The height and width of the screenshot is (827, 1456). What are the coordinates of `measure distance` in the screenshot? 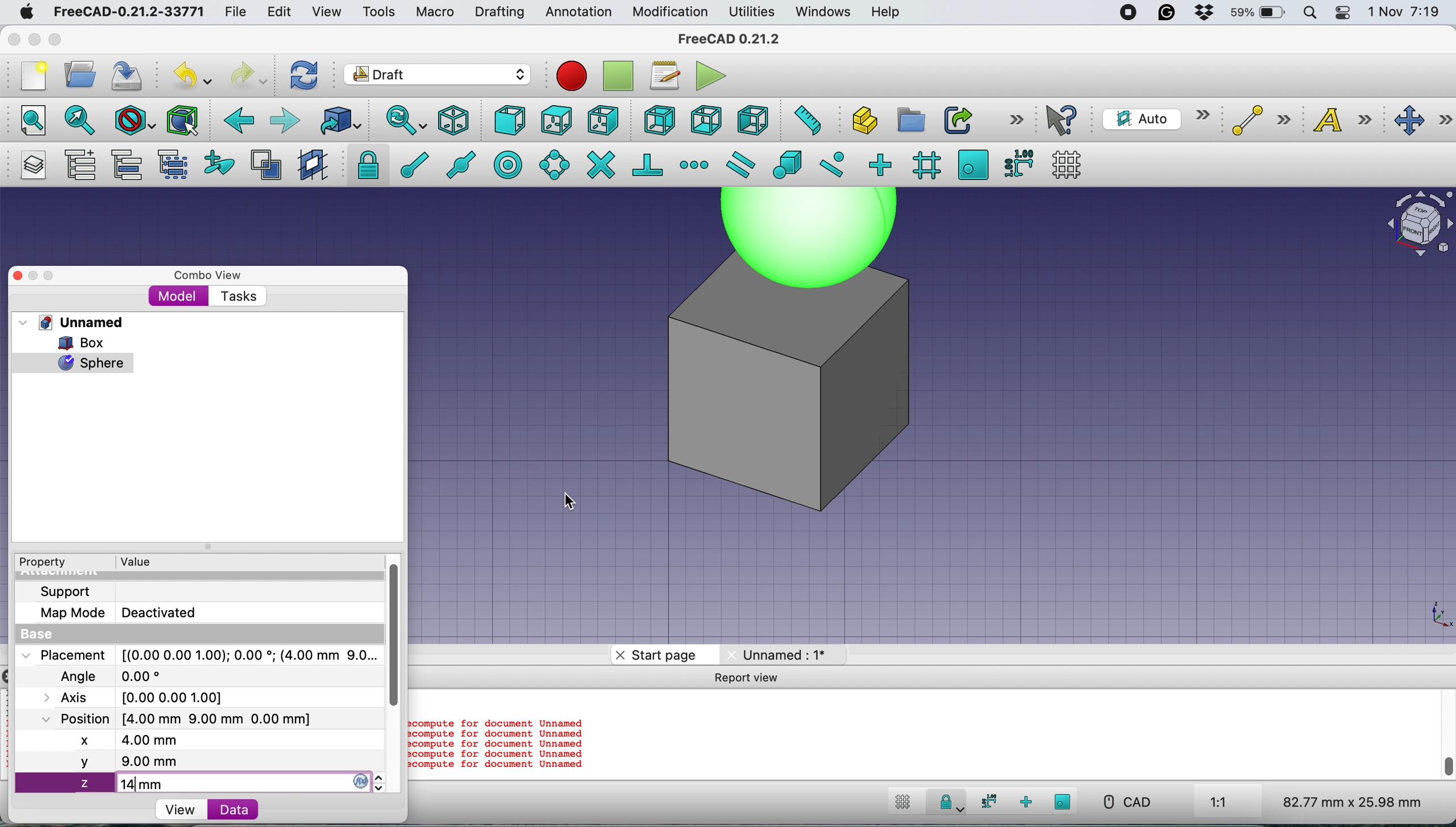 It's located at (804, 119).